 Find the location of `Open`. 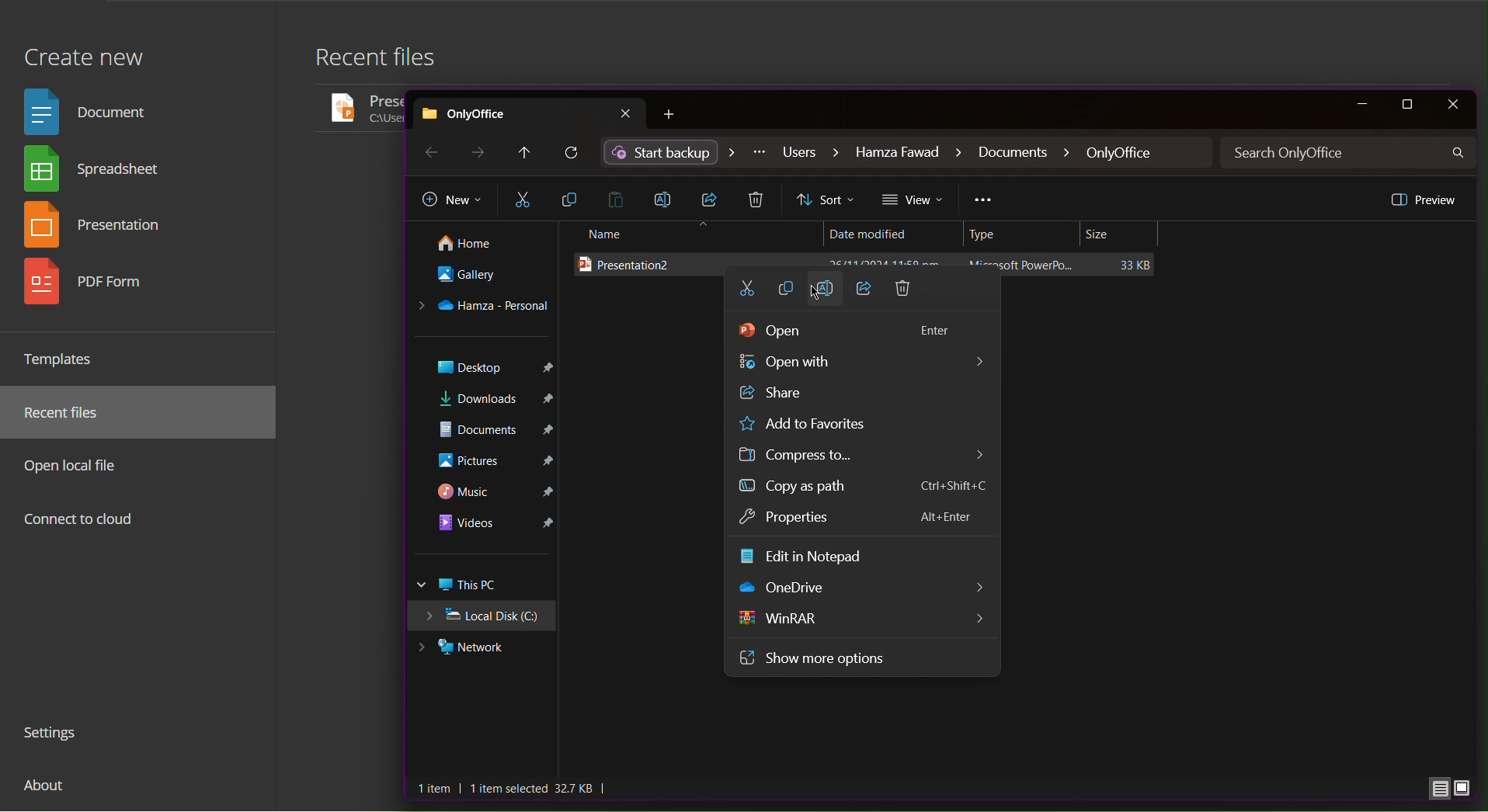

Open is located at coordinates (850, 333).